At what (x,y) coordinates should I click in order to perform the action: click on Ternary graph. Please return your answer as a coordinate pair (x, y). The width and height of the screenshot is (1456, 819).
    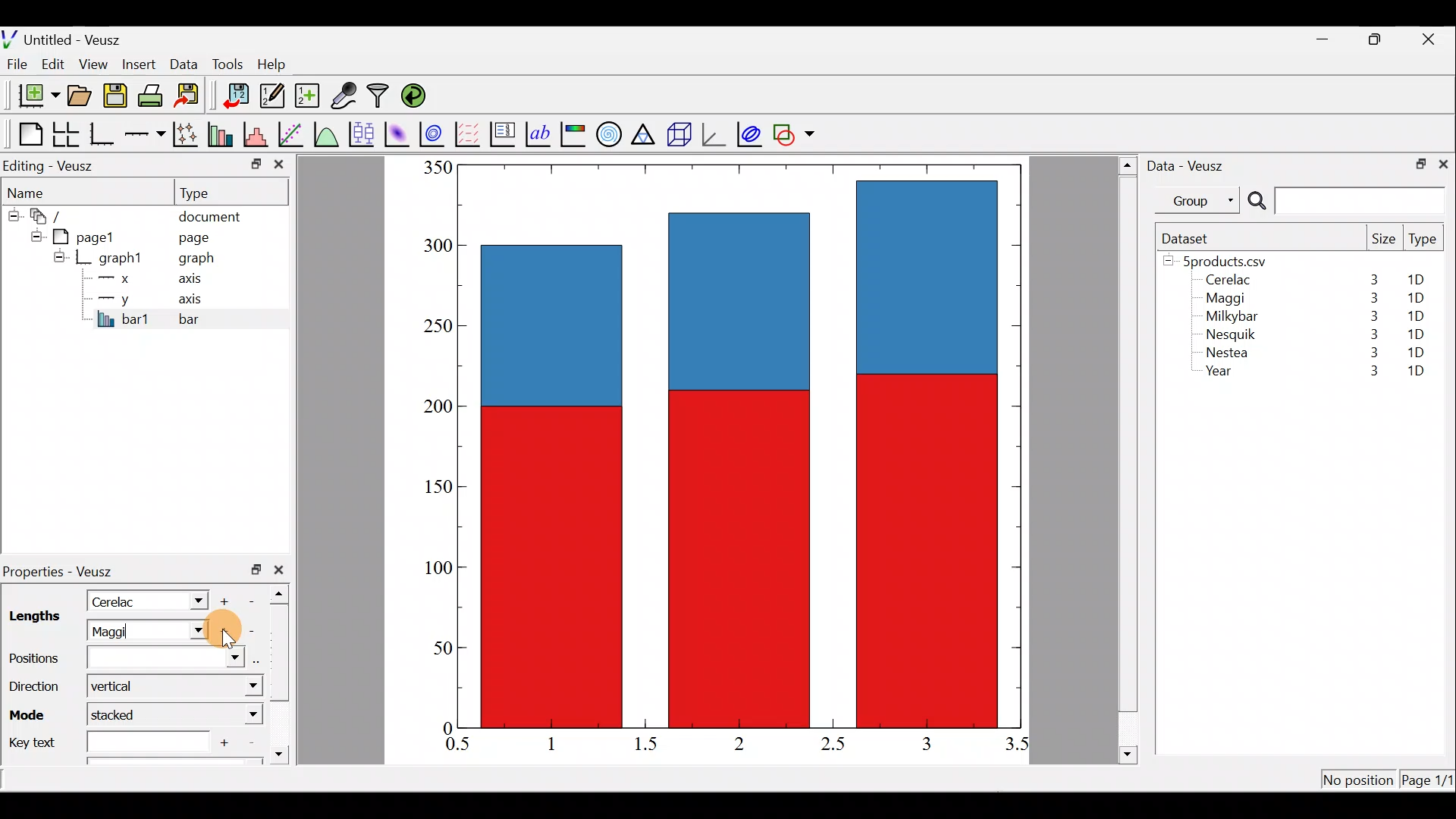
    Looking at the image, I should click on (645, 132).